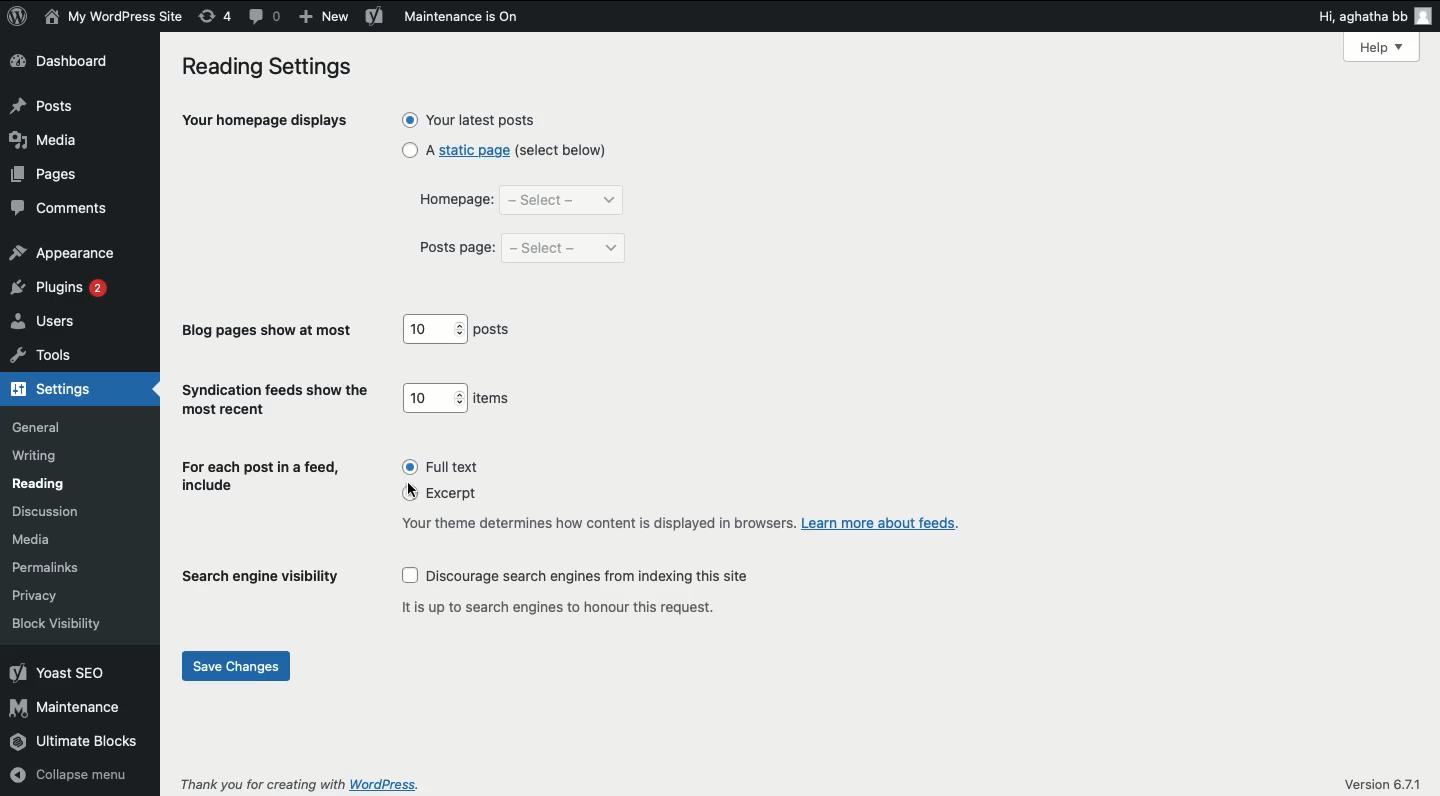  Describe the element at coordinates (469, 120) in the screenshot. I see `your latest posts` at that location.